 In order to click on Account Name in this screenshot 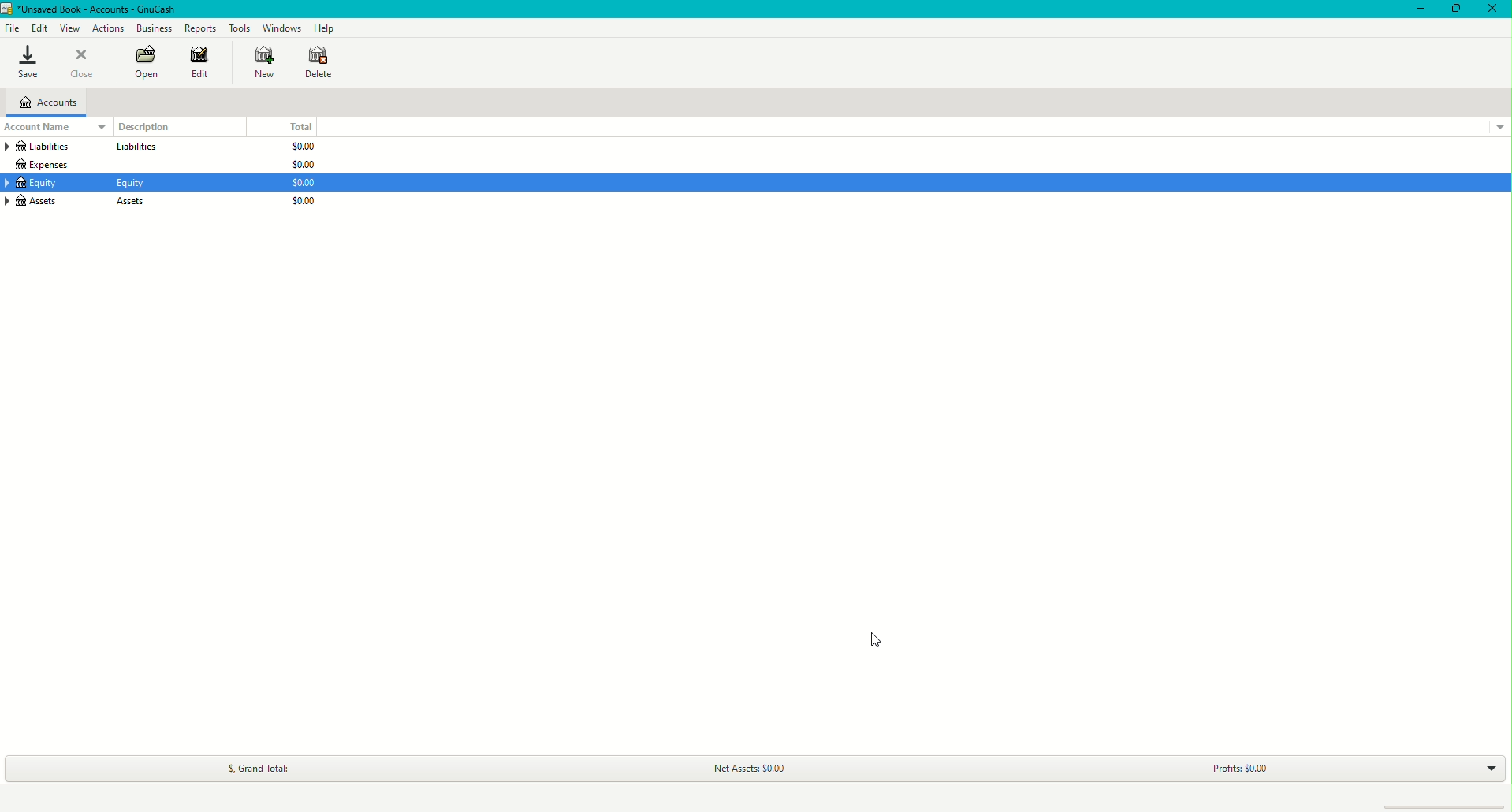, I will do `click(47, 127)`.